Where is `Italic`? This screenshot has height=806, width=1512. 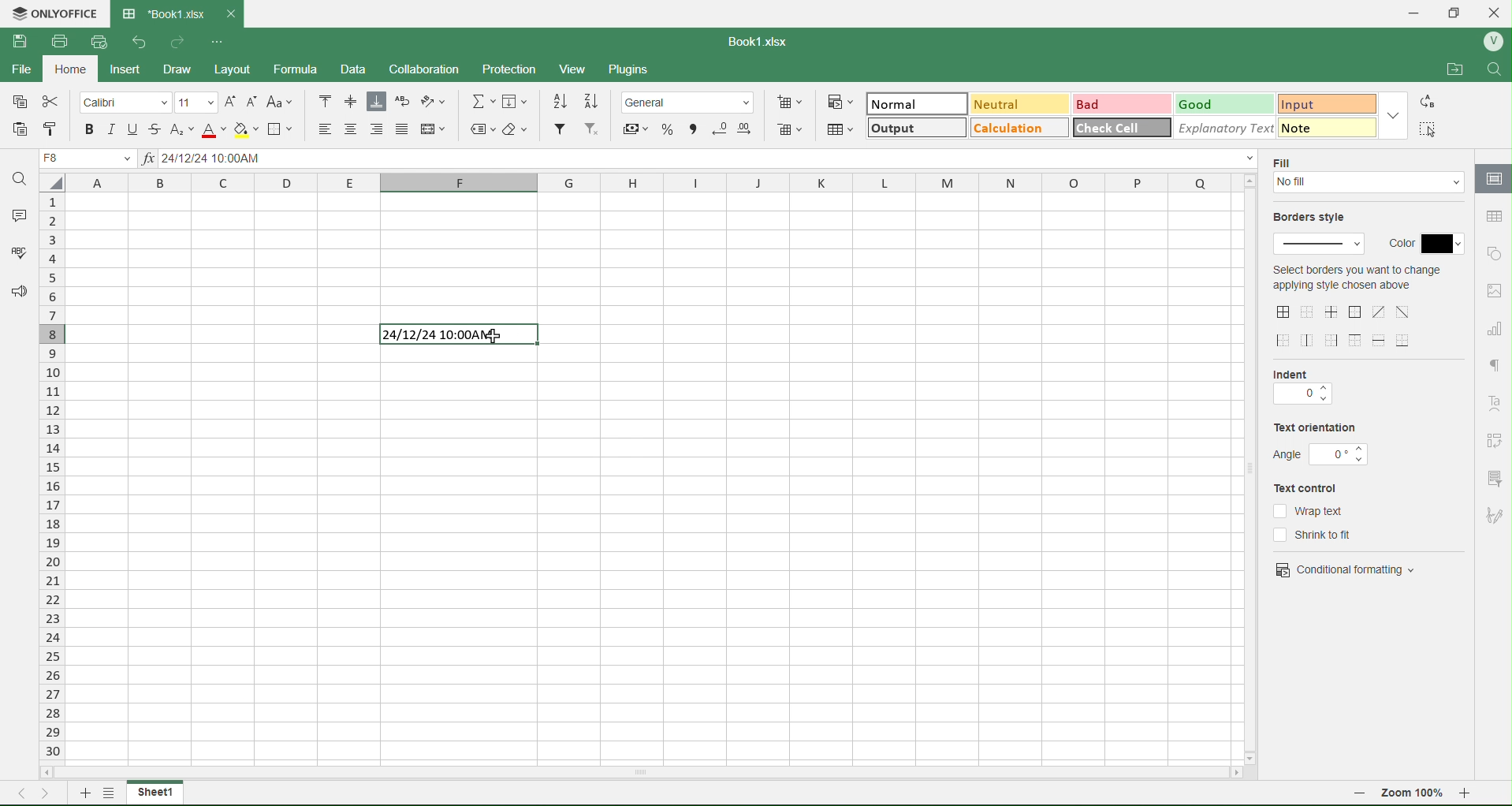 Italic is located at coordinates (110, 129).